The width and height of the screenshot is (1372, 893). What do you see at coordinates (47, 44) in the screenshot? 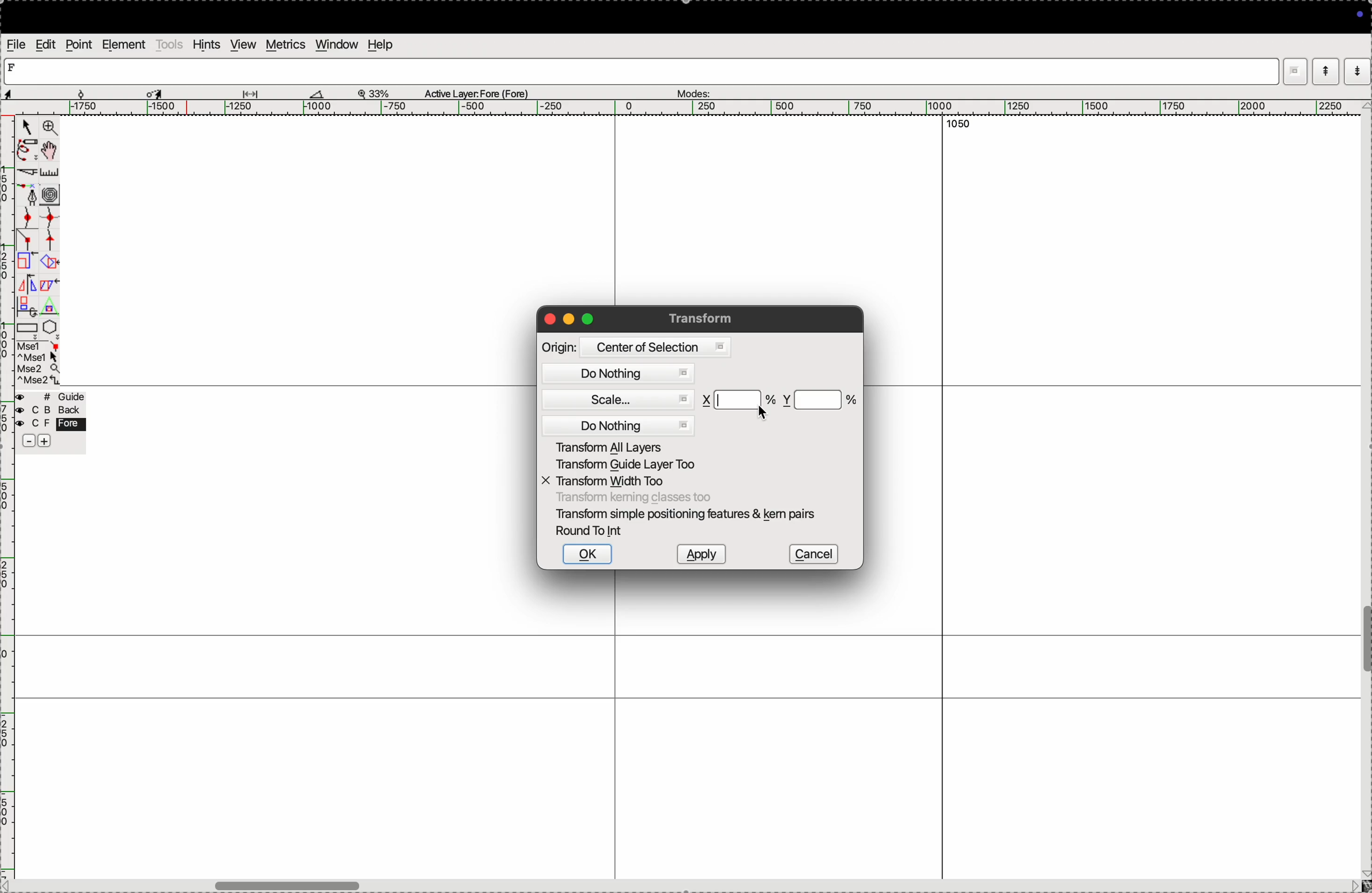
I see `edit` at bounding box center [47, 44].